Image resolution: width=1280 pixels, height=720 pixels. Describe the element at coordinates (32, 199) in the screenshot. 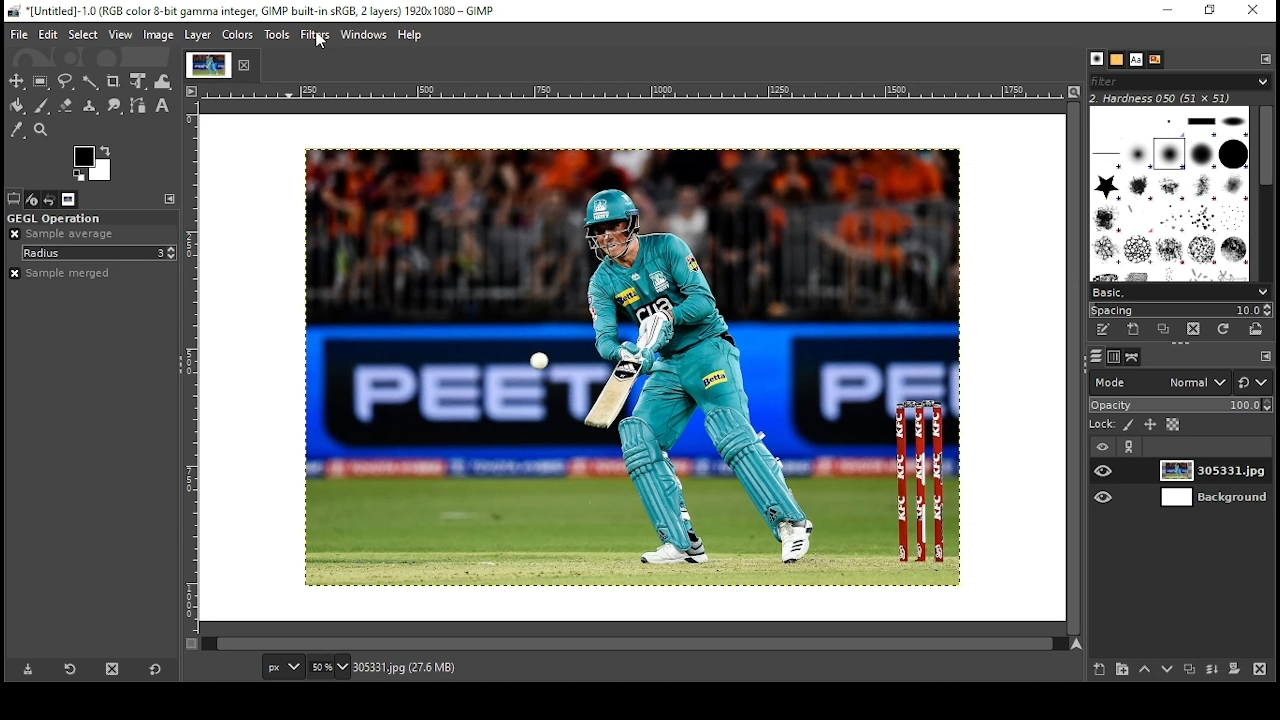

I see `device status` at that location.